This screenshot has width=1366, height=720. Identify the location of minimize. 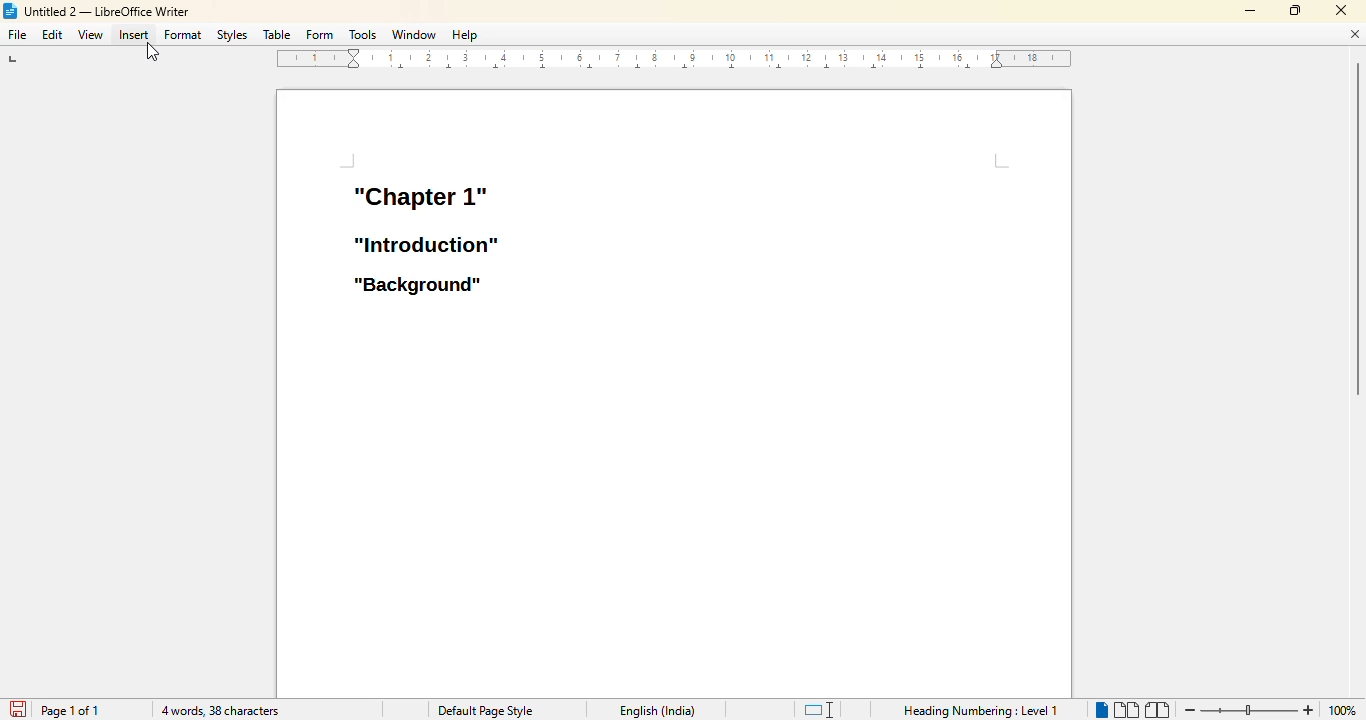
(1251, 11).